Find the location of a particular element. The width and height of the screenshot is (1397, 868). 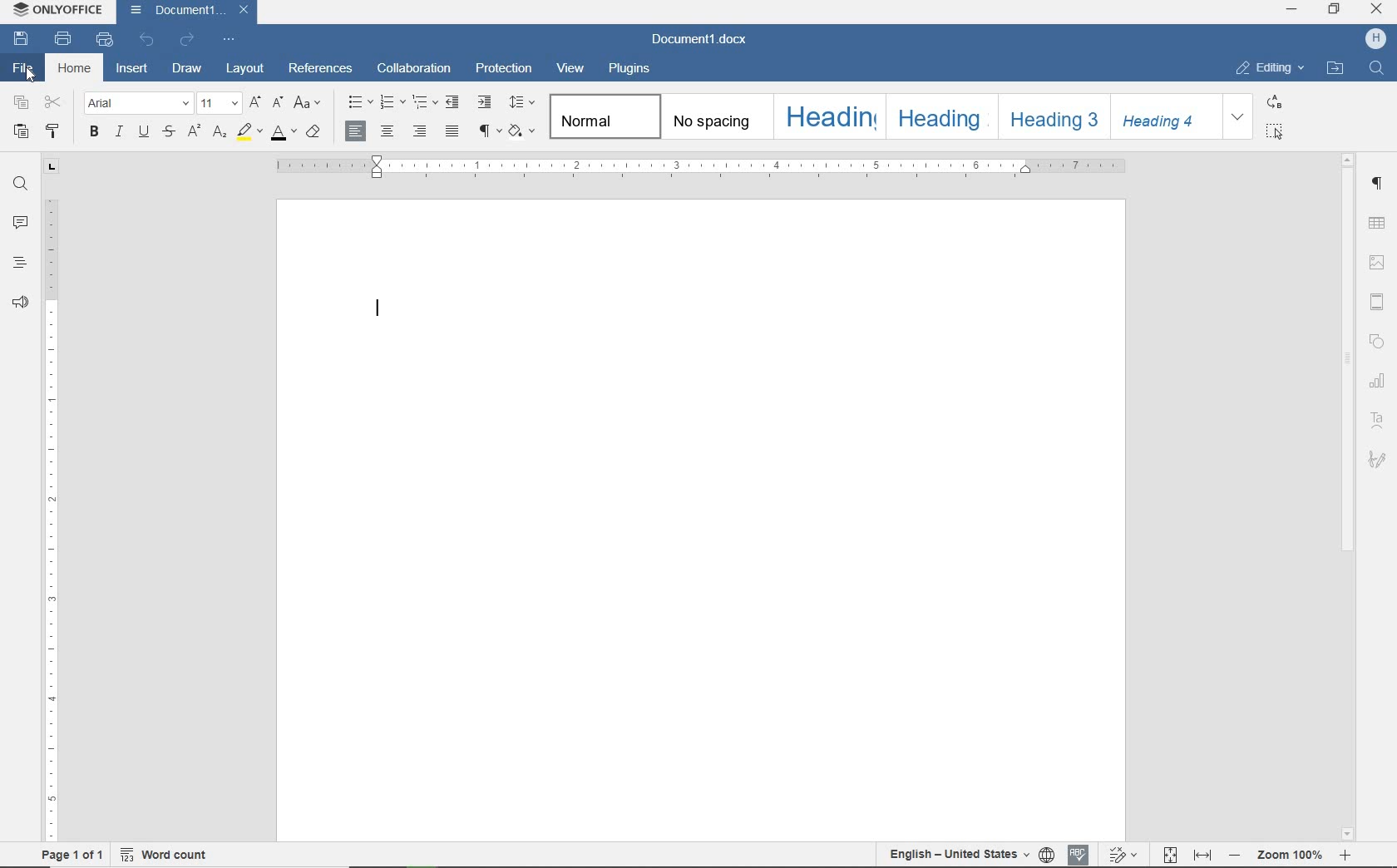

editing is located at coordinates (1269, 67).